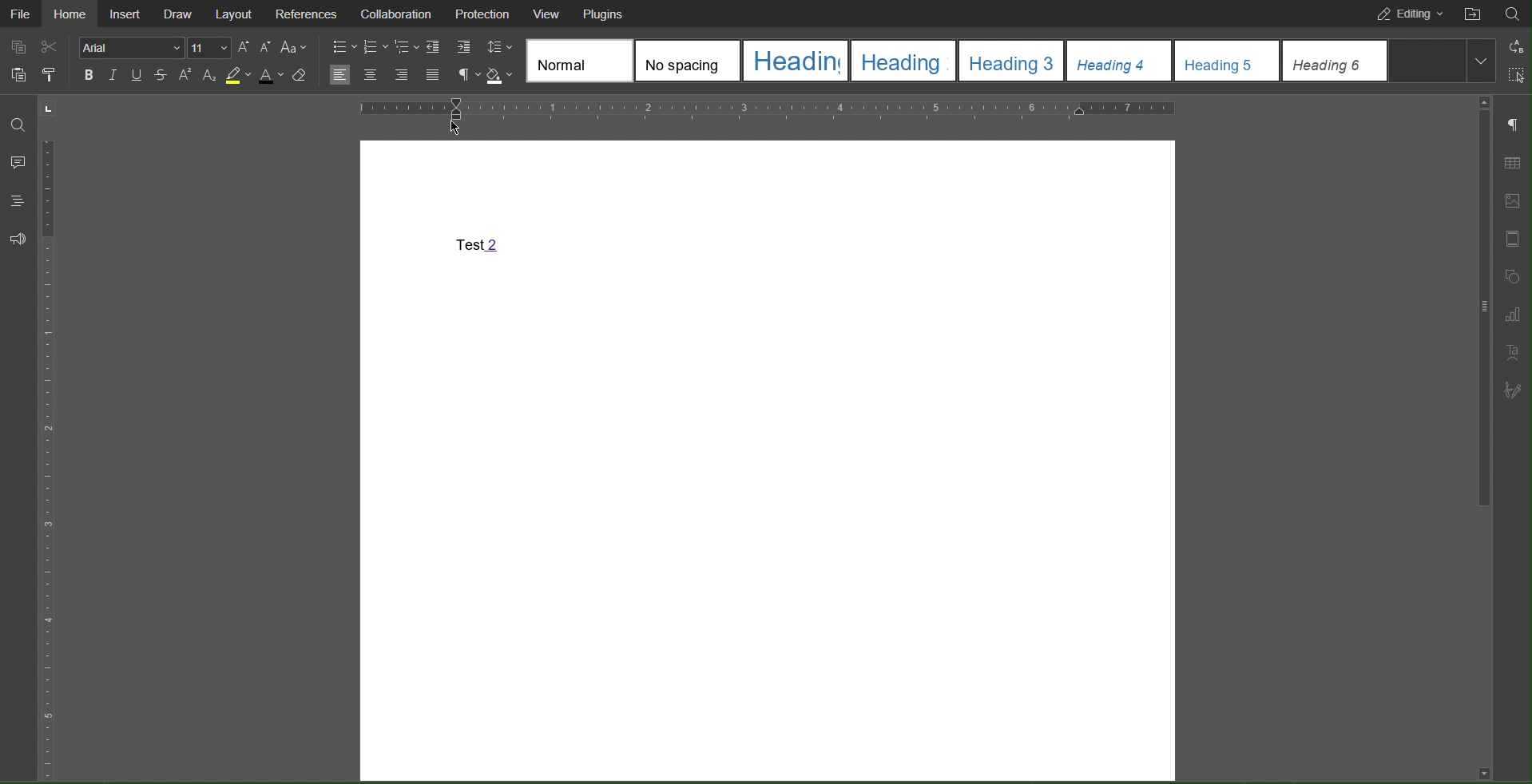 The height and width of the screenshot is (784, 1532). I want to click on Text Color, so click(271, 77).